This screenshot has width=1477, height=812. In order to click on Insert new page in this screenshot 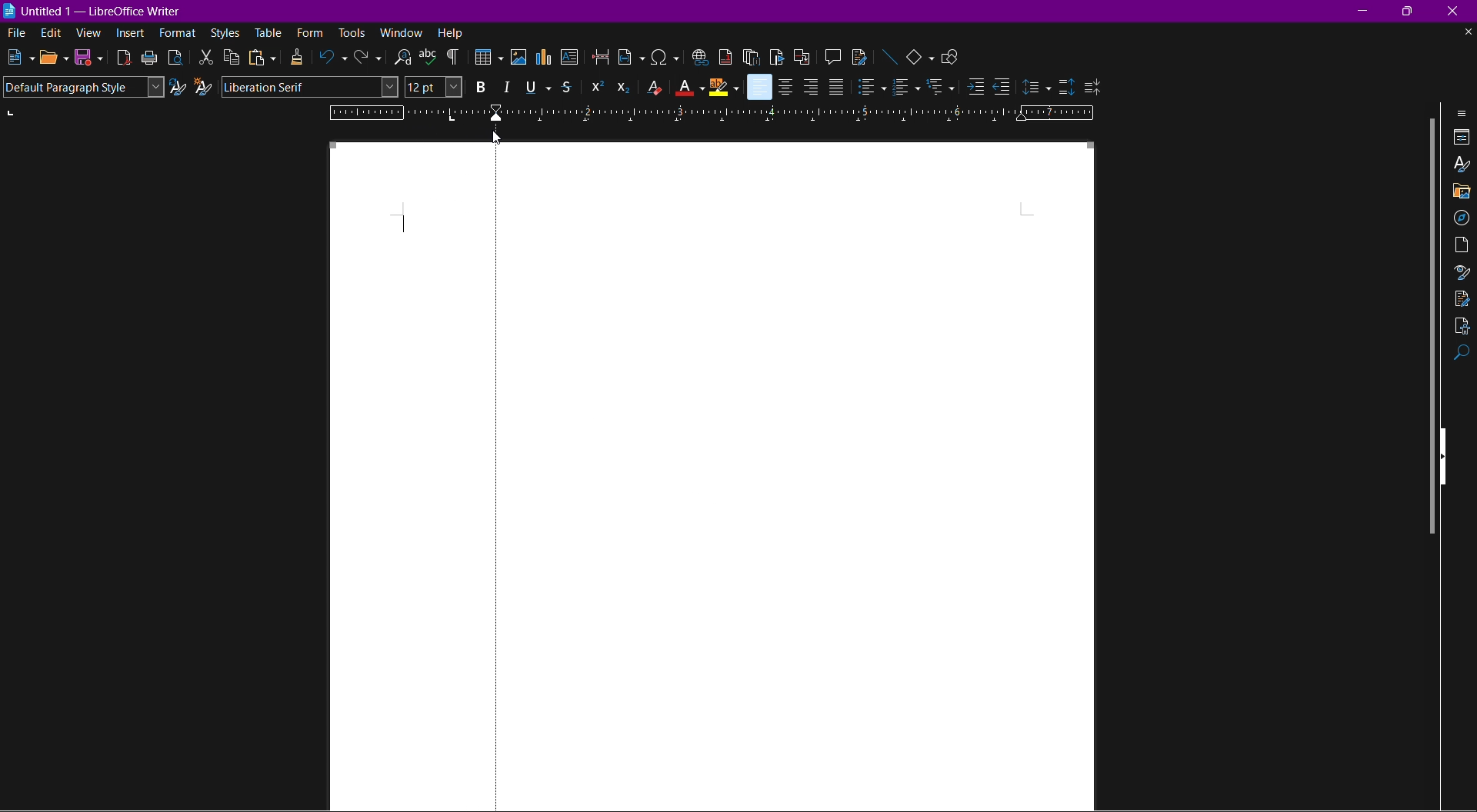, I will do `click(632, 58)`.